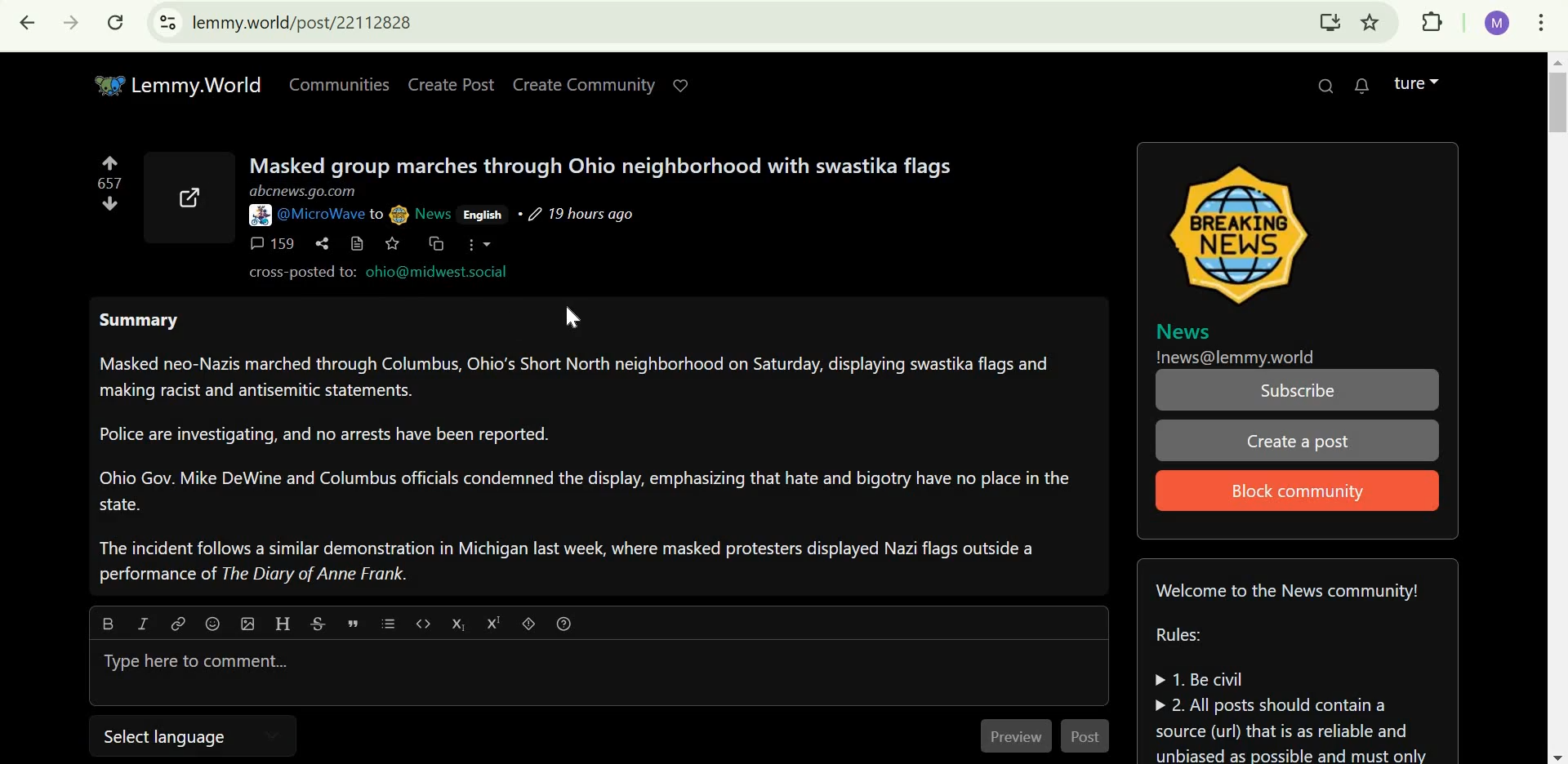  I want to click on google account, so click(1495, 24).